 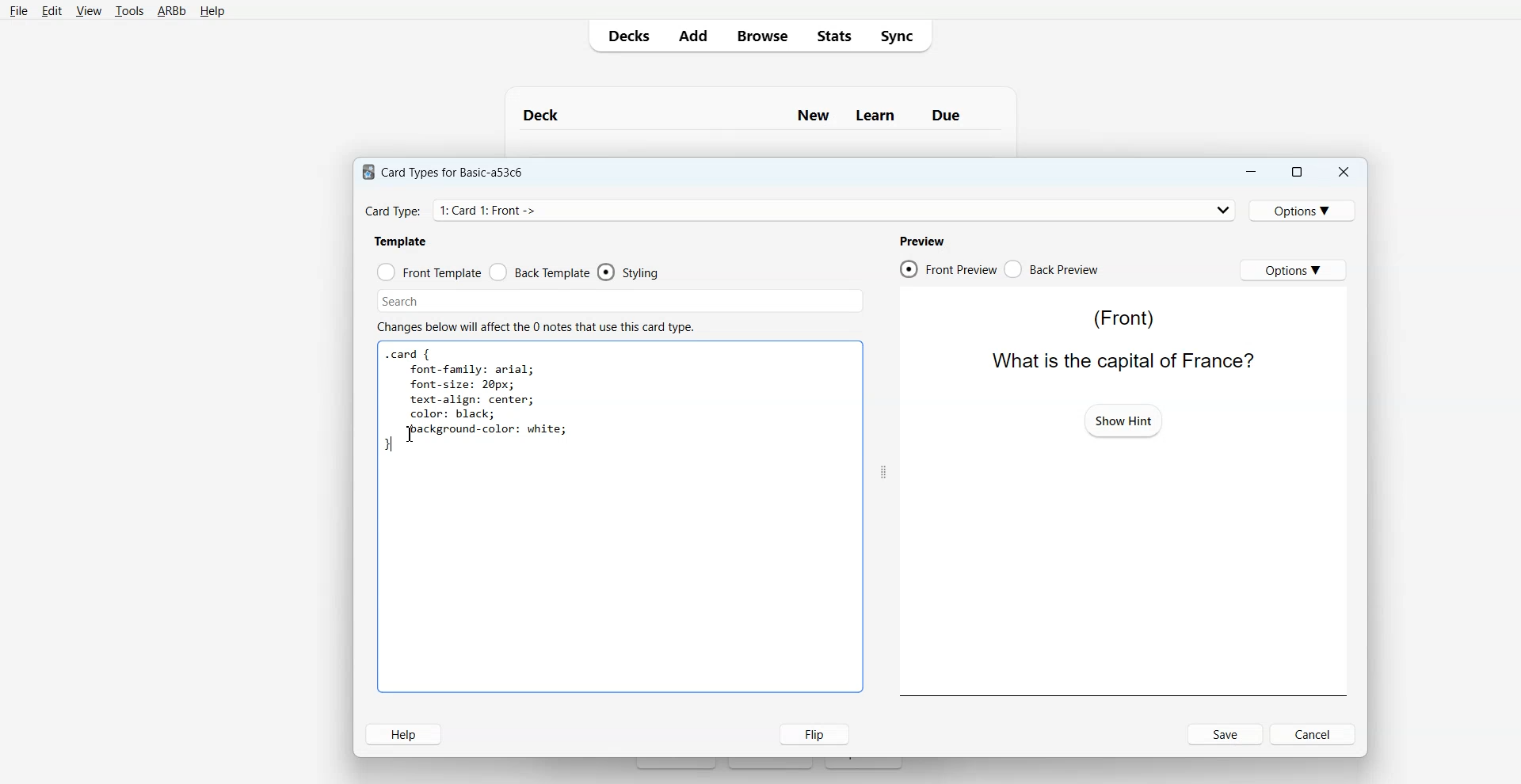 What do you see at coordinates (52, 11) in the screenshot?
I see `Edit` at bounding box center [52, 11].